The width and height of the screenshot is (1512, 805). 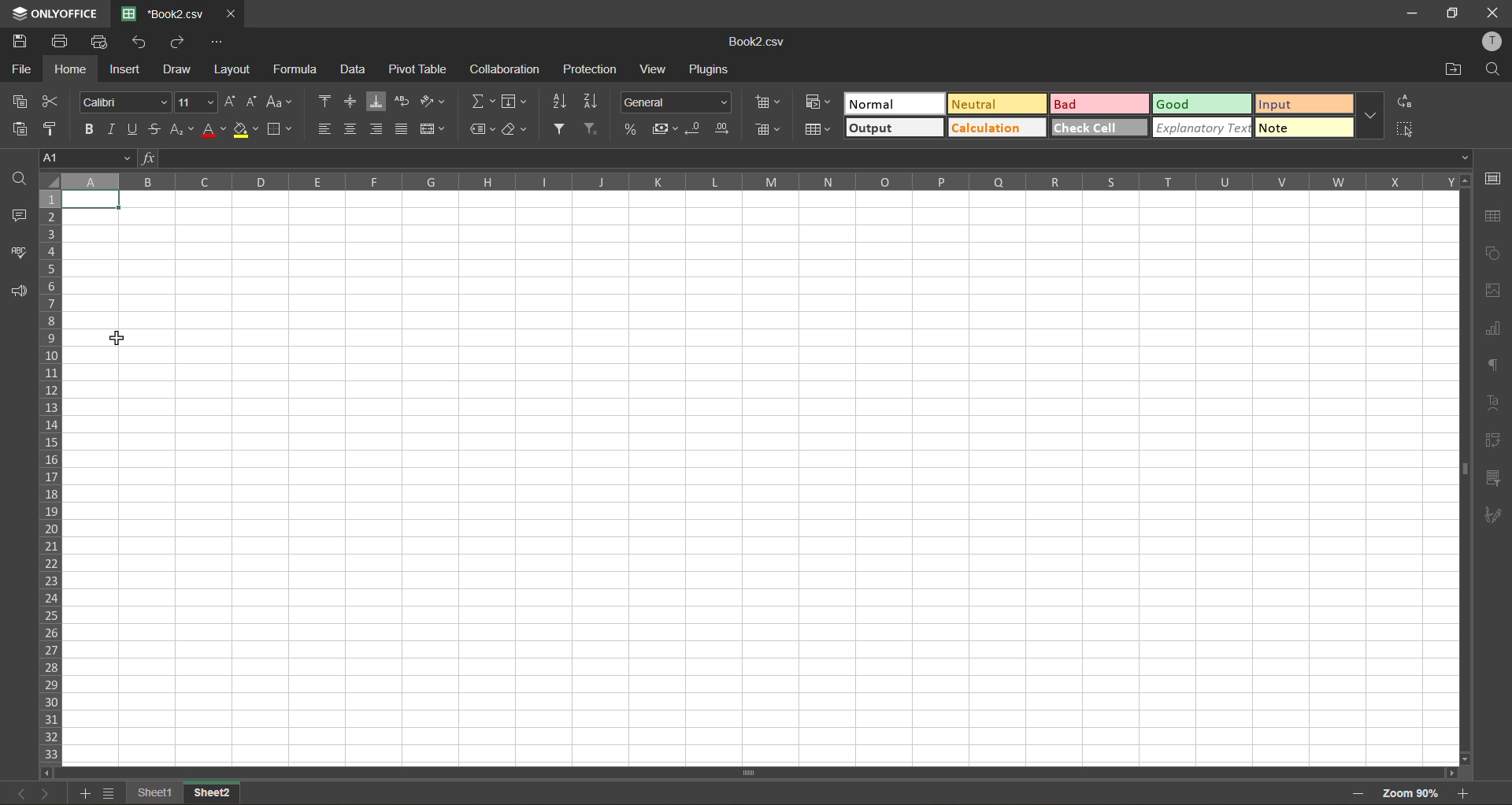 What do you see at coordinates (680, 100) in the screenshot?
I see `number format` at bounding box center [680, 100].